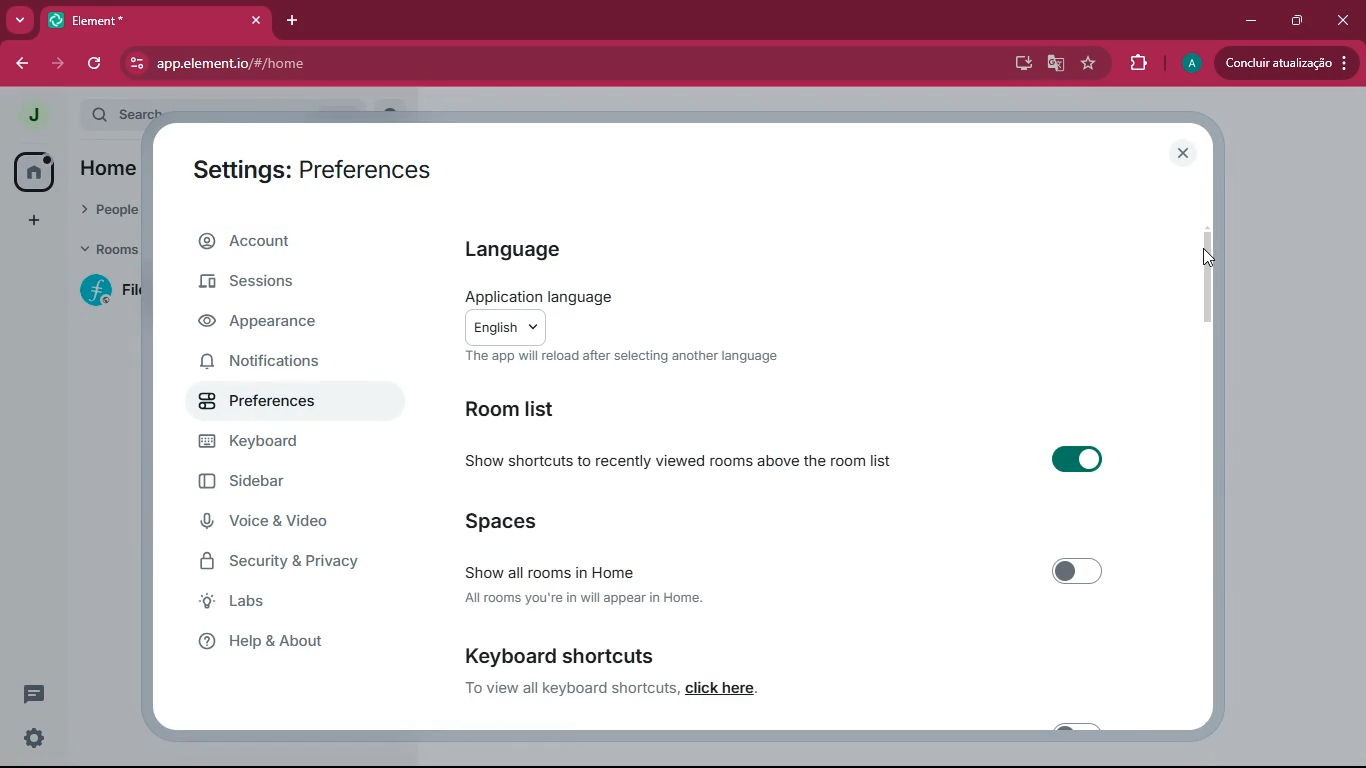 The width and height of the screenshot is (1366, 768). What do you see at coordinates (534, 295) in the screenshot?
I see `application language` at bounding box center [534, 295].